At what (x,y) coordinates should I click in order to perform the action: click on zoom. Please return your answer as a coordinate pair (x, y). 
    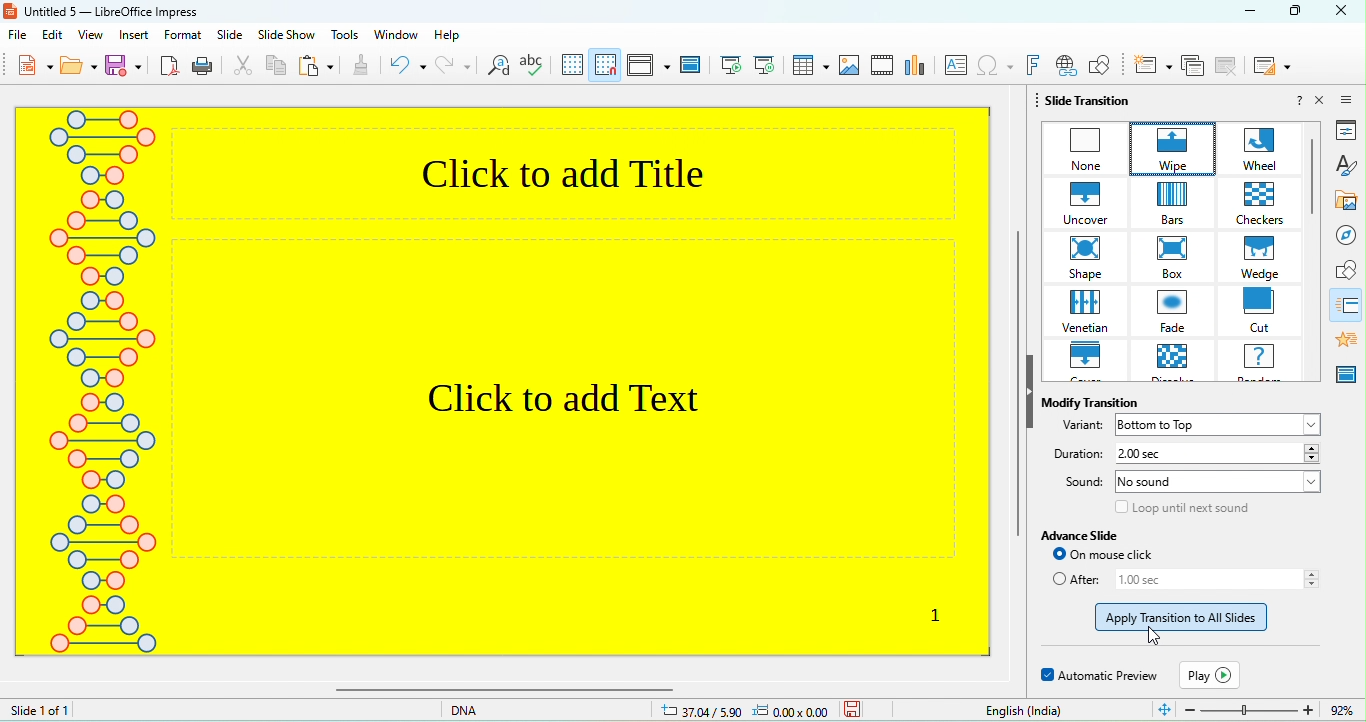
    Looking at the image, I should click on (1256, 709).